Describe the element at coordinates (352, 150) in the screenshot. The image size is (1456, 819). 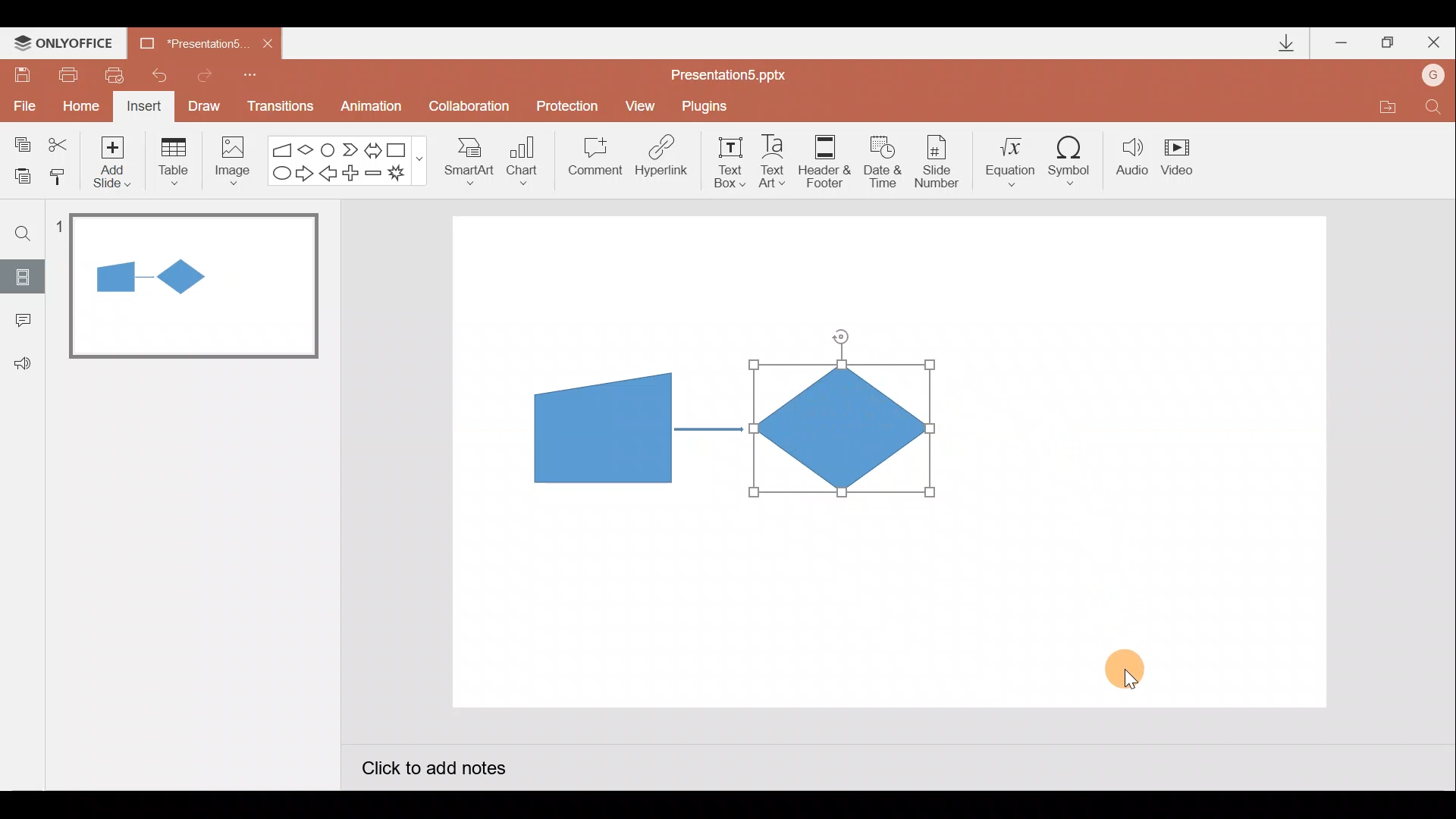
I see `Chevron` at that location.